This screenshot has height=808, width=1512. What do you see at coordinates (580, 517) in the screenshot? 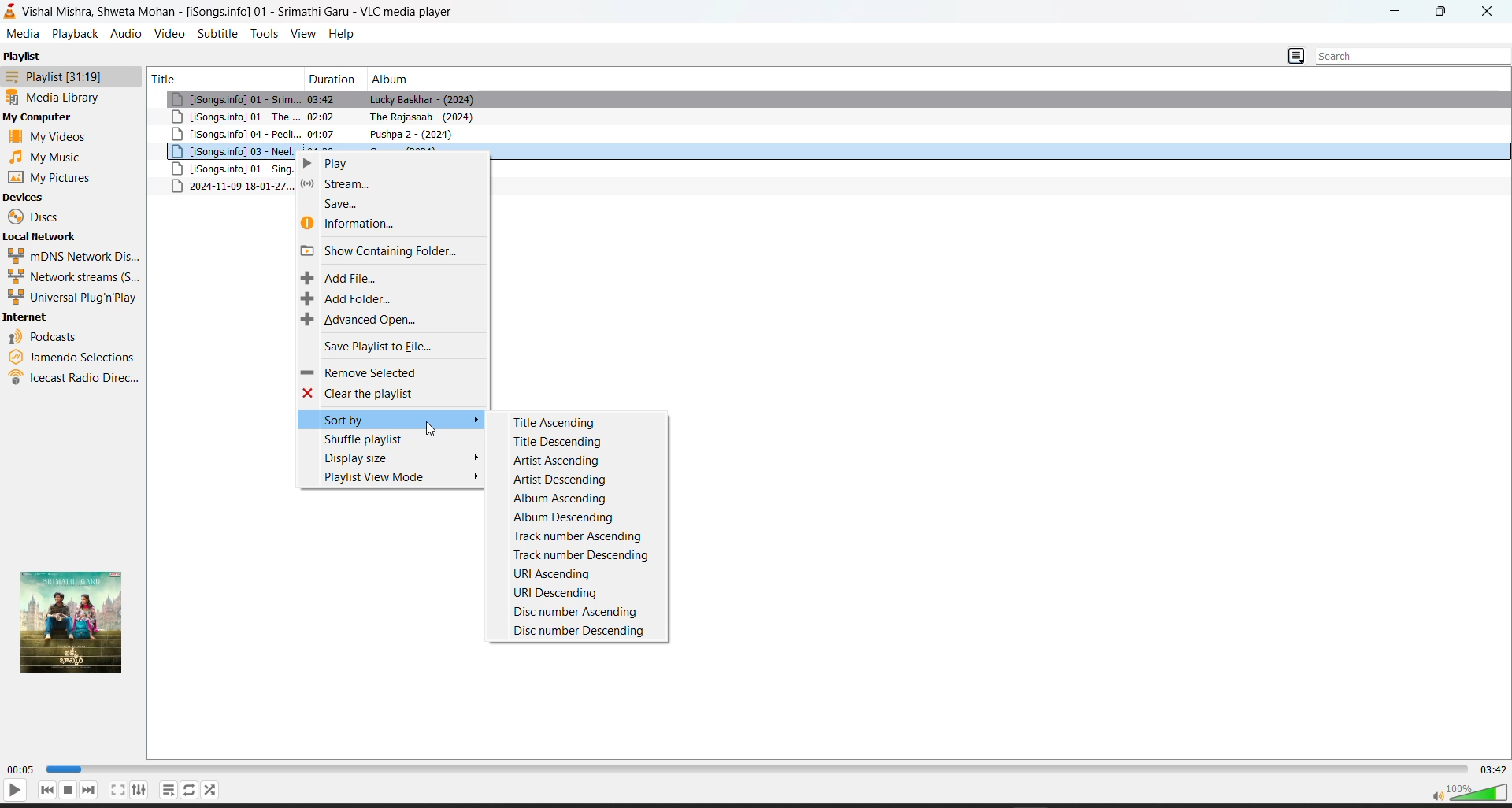
I see `album descending` at bounding box center [580, 517].